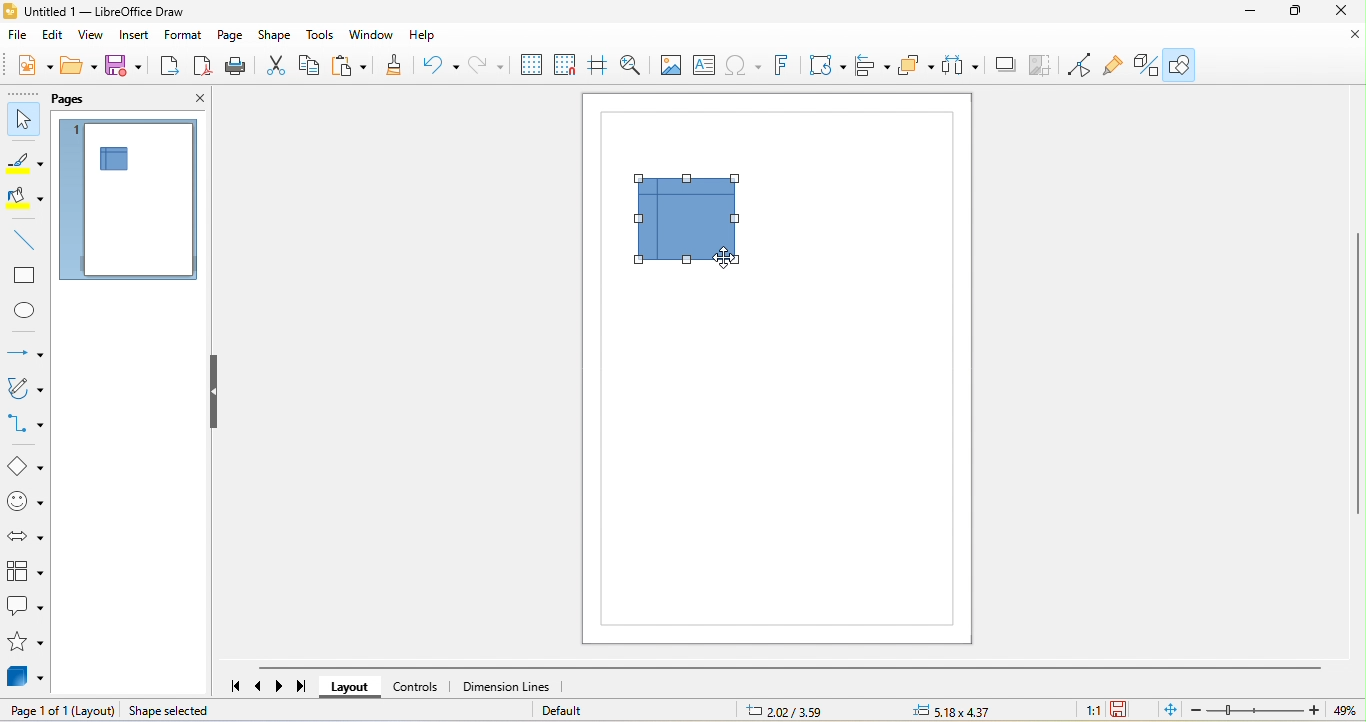 The width and height of the screenshot is (1366, 722). I want to click on scroll to next page, so click(284, 685).